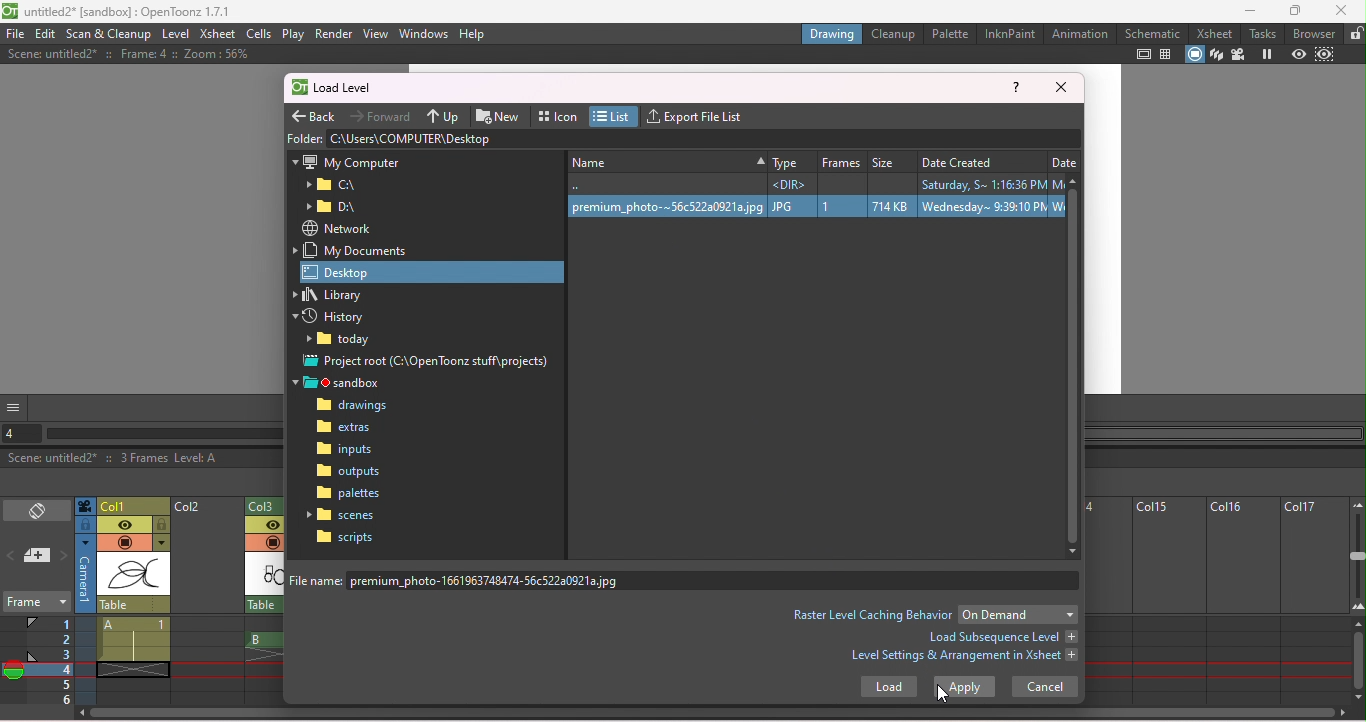 The width and height of the screenshot is (1366, 722). What do you see at coordinates (559, 114) in the screenshot?
I see `Icon` at bounding box center [559, 114].